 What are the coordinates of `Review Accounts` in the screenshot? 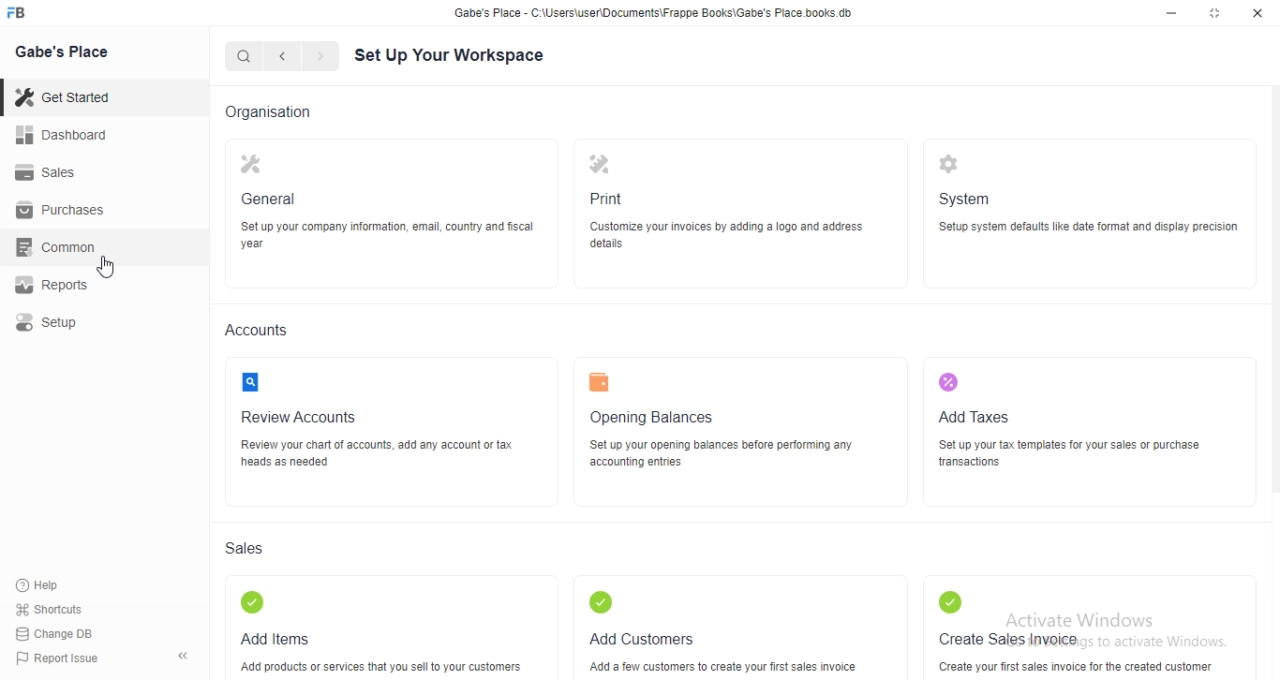 It's located at (296, 418).